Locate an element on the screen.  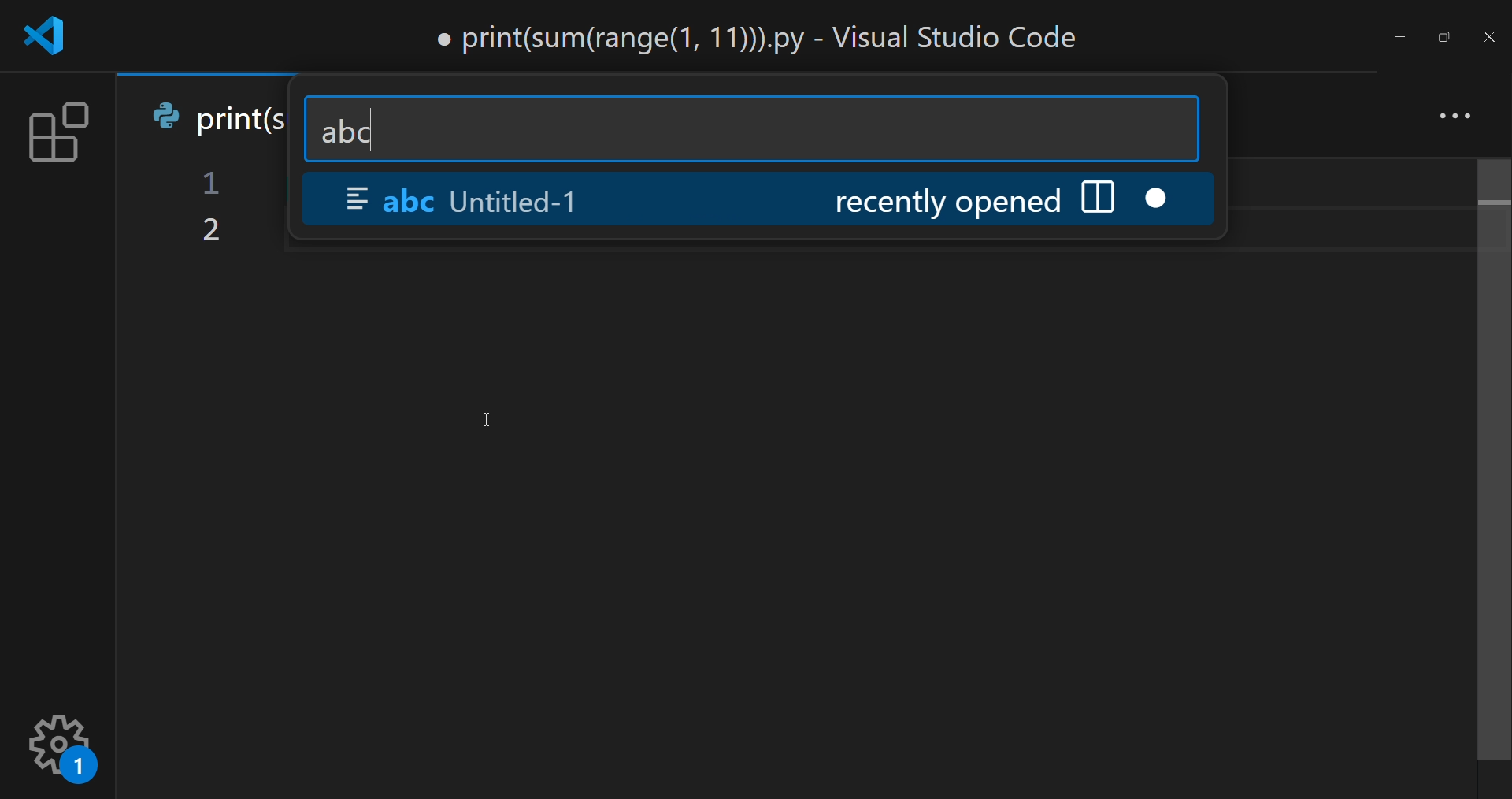
more is located at coordinates (1451, 113).